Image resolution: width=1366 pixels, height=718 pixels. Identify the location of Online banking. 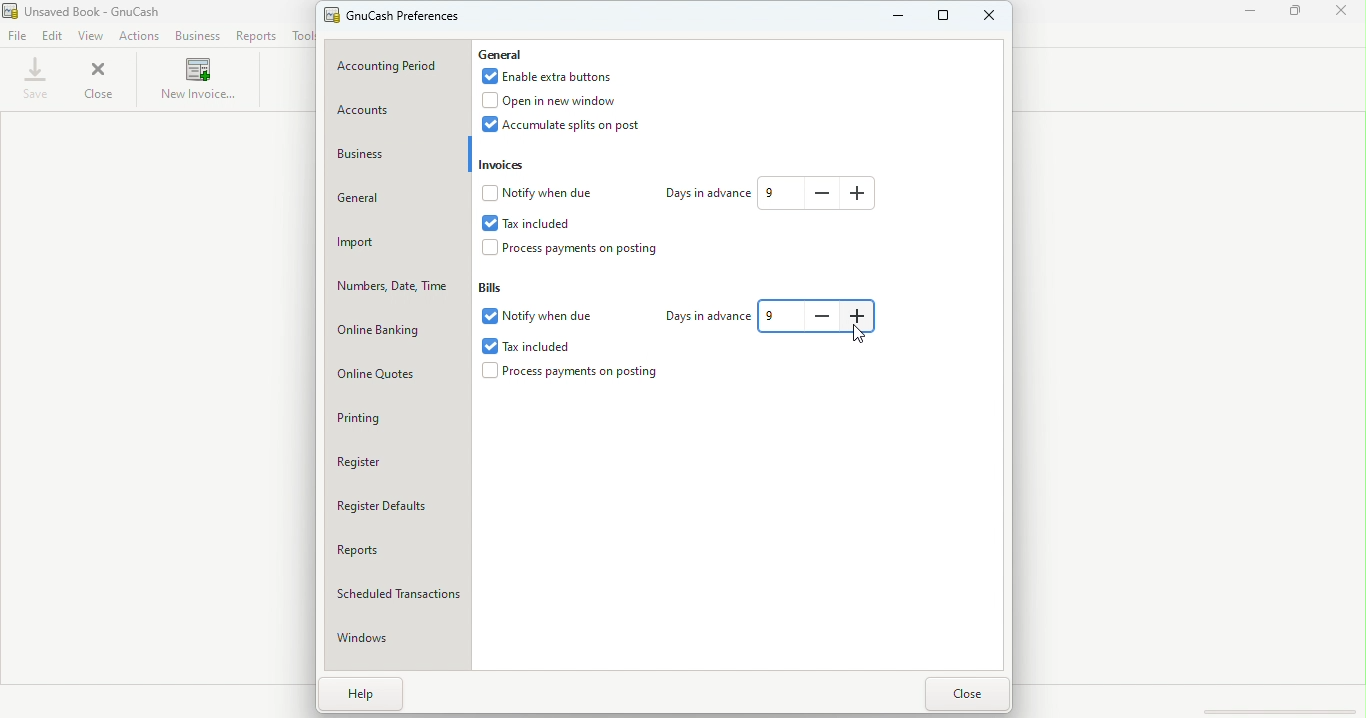
(394, 328).